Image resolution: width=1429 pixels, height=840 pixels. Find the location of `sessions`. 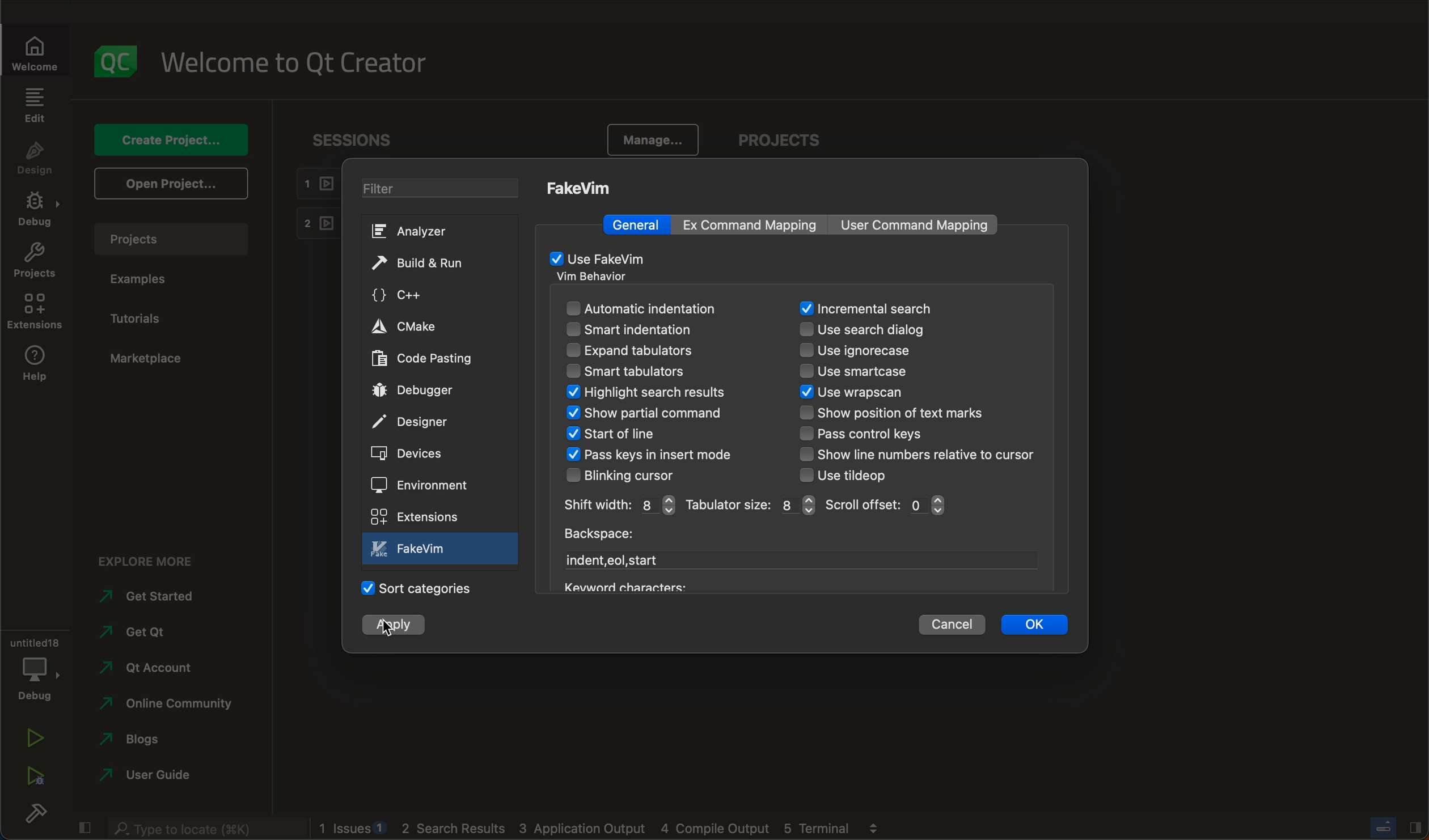

sessions is located at coordinates (357, 139).